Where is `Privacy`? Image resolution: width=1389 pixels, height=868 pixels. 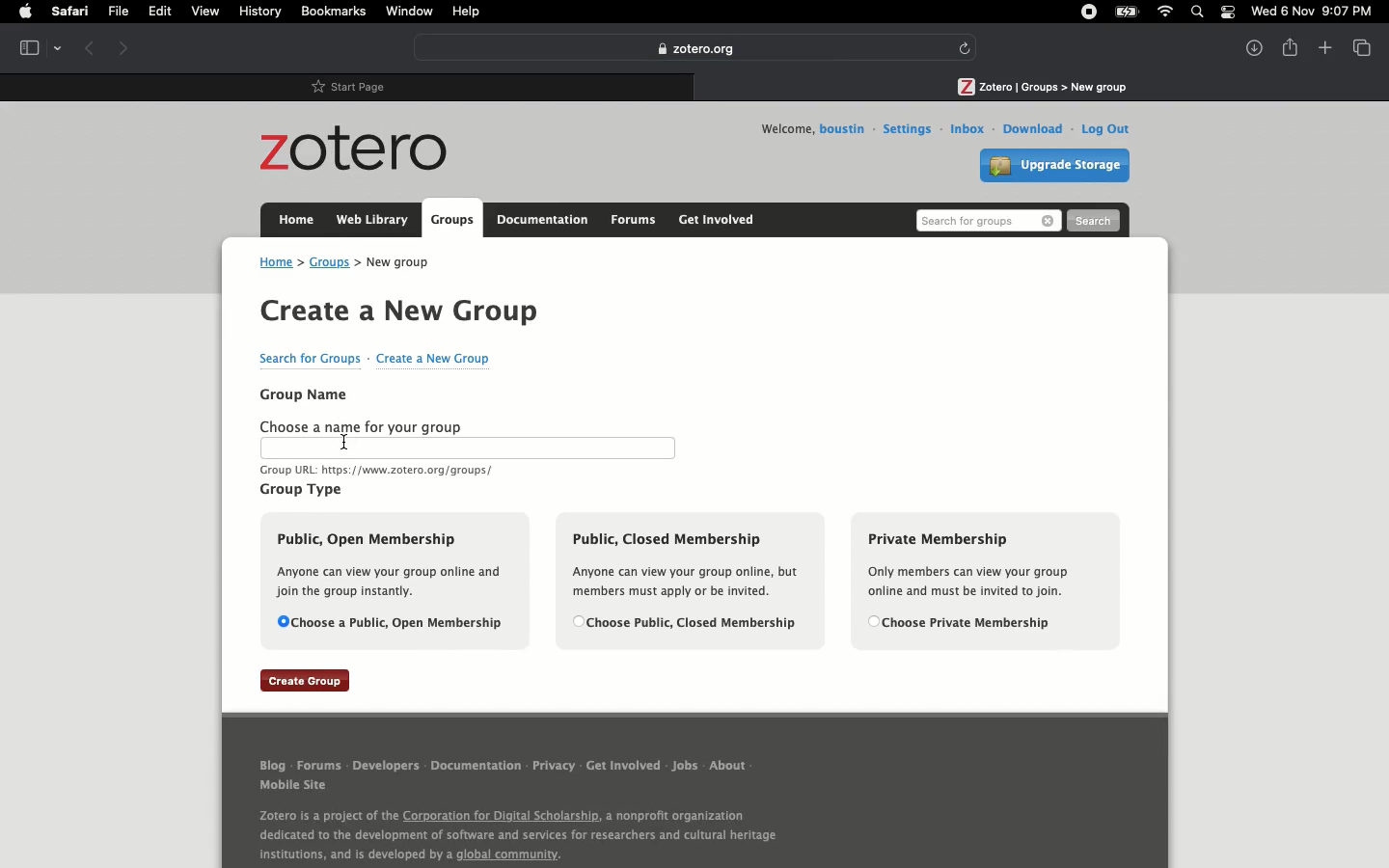 Privacy is located at coordinates (553, 765).